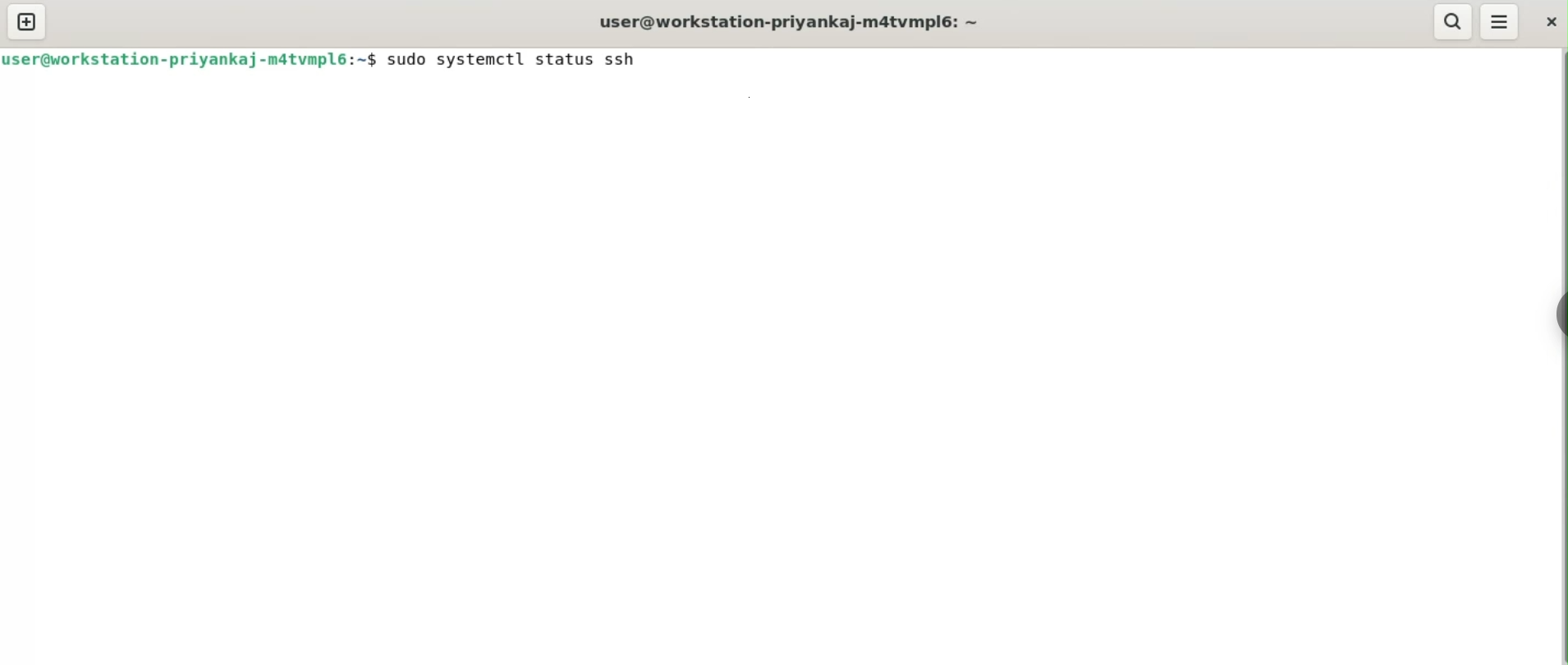  Describe the element at coordinates (789, 21) in the screenshot. I see `user@workstation-priyankaj-m4tvmpl6:~` at that location.